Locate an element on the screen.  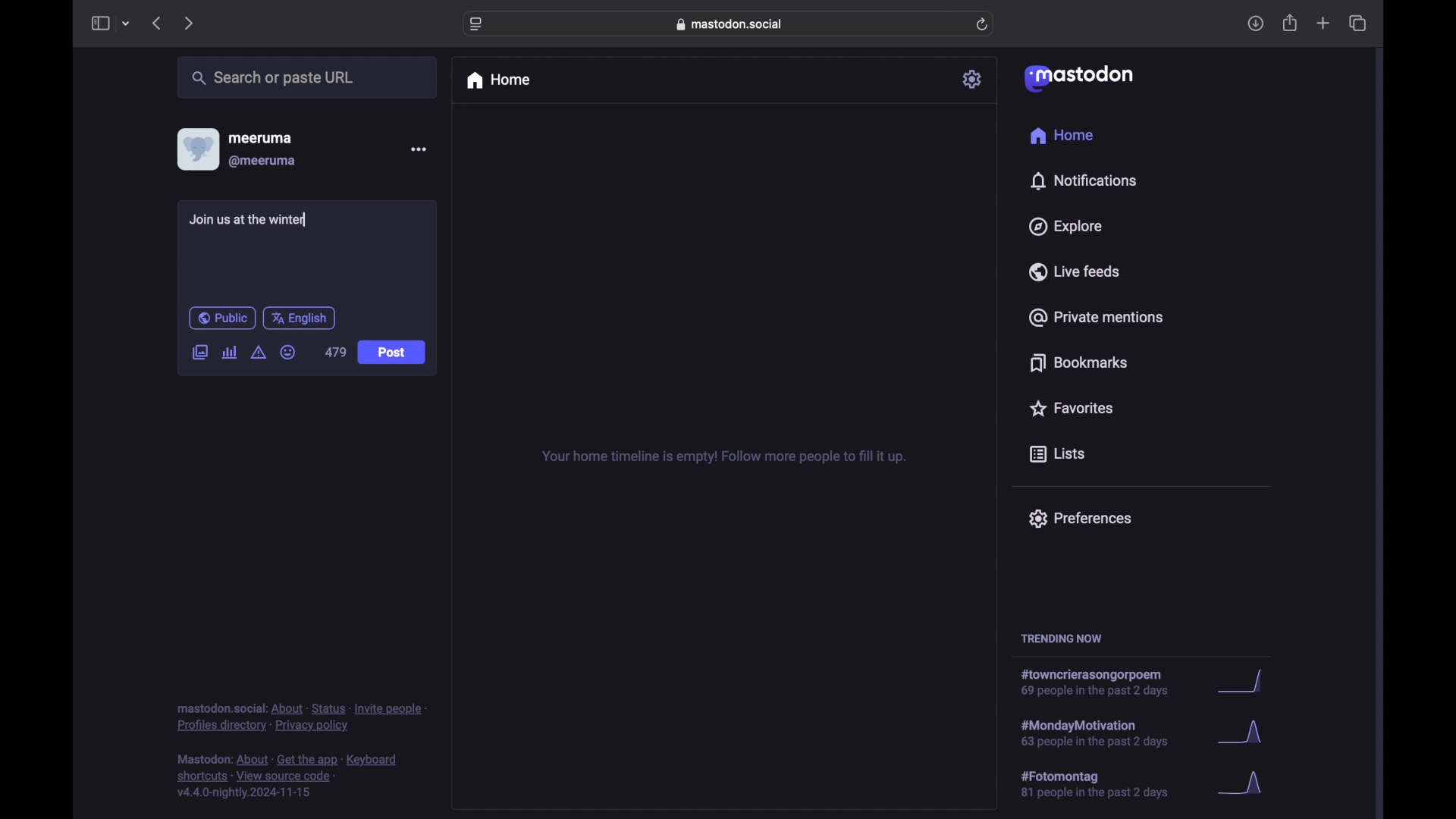
refresh is located at coordinates (984, 25).